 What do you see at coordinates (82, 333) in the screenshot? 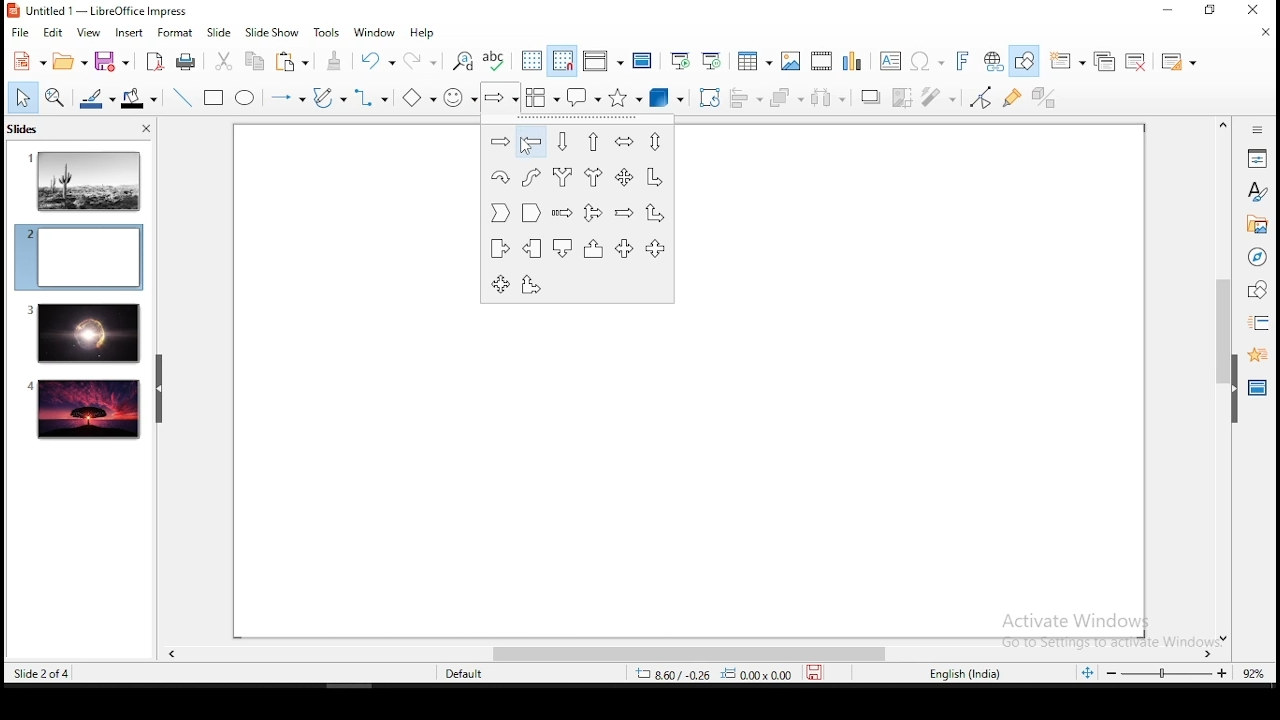
I see `slide` at bounding box center [82, 333].